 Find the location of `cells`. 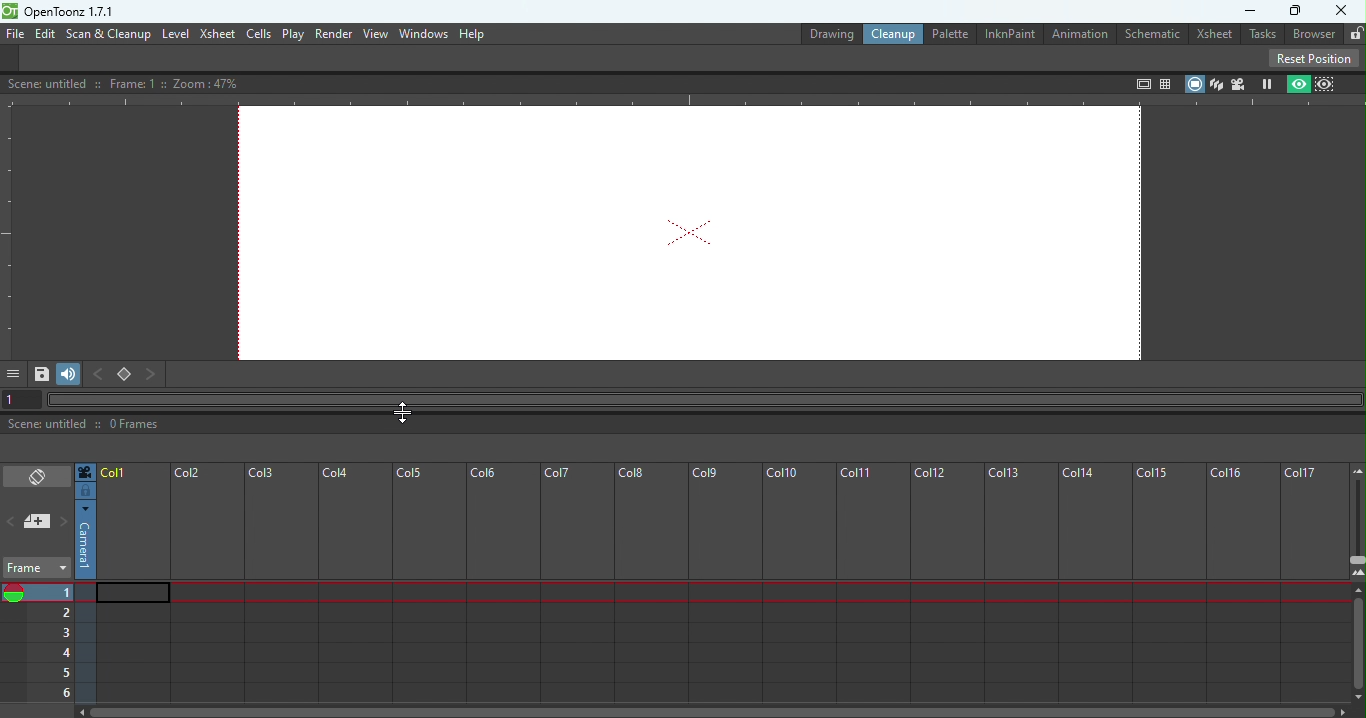

cells is located at coordinates (258, 34).